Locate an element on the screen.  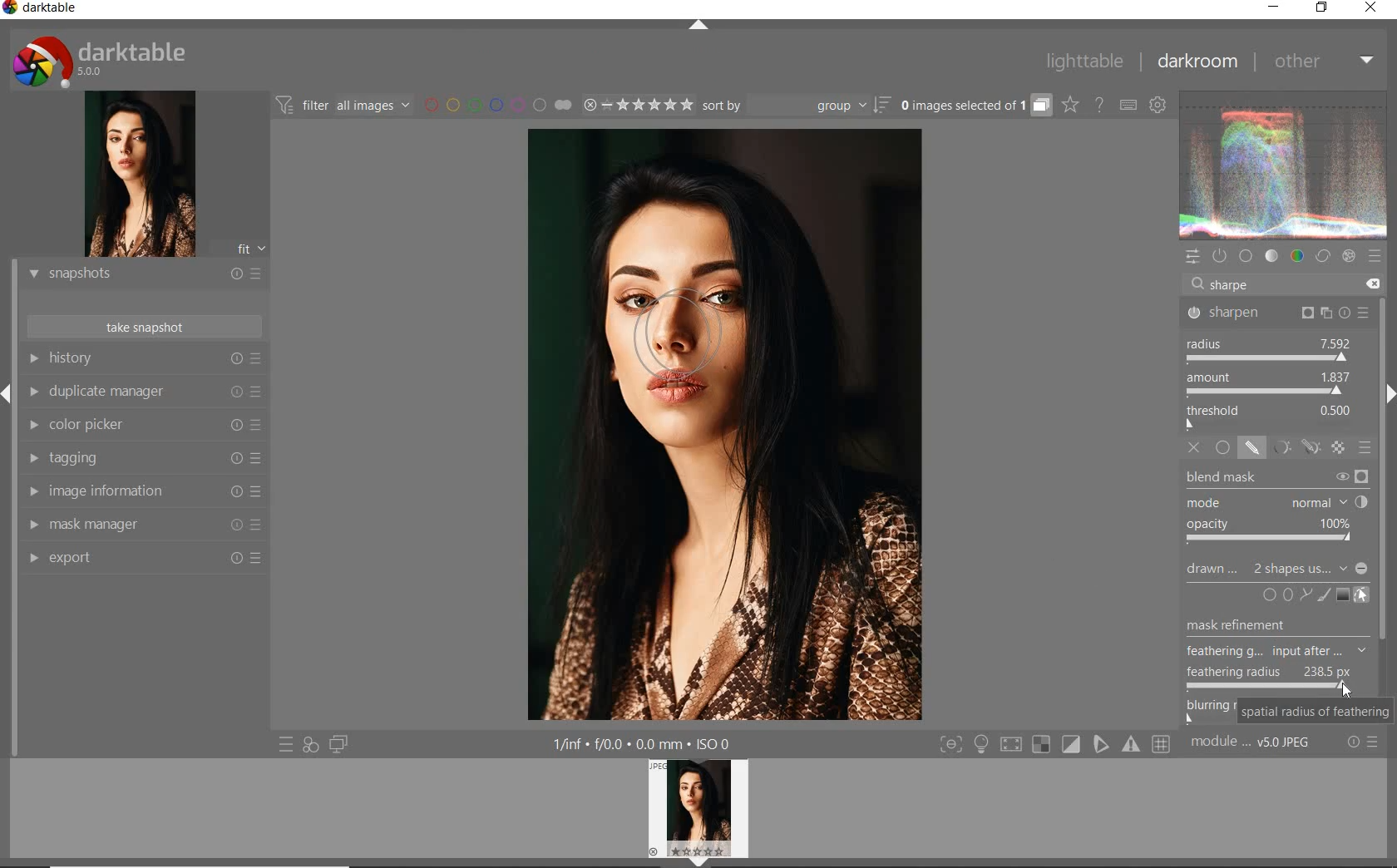
tone is located at coordinates (1271, 258).